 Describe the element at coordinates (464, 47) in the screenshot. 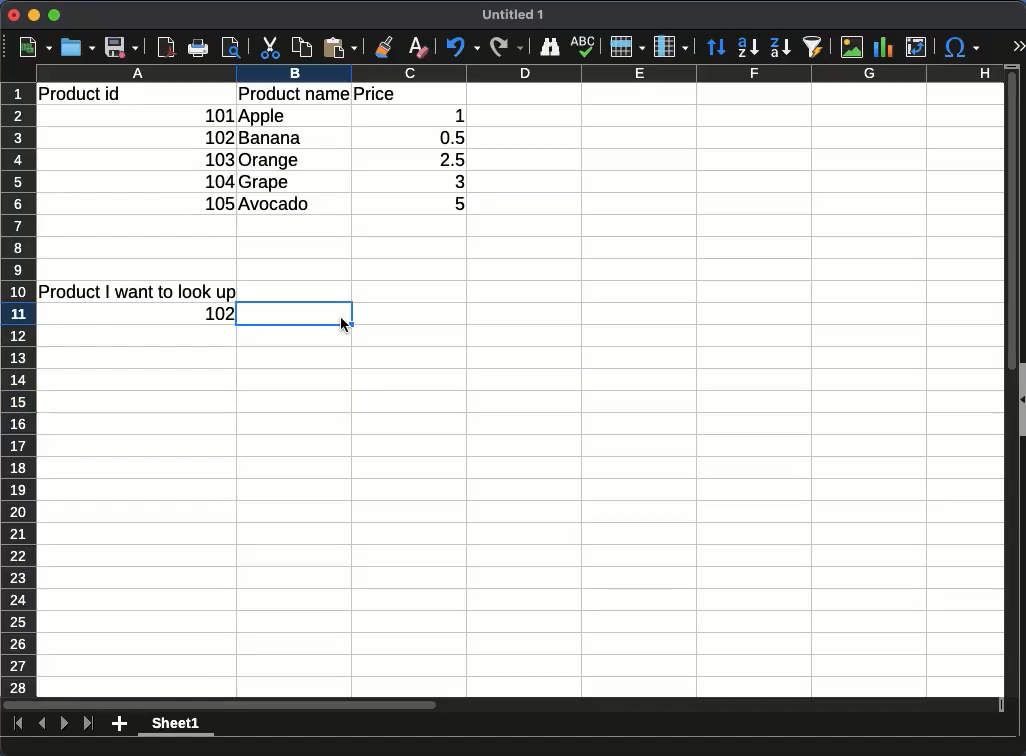

I see `undo` at that location.